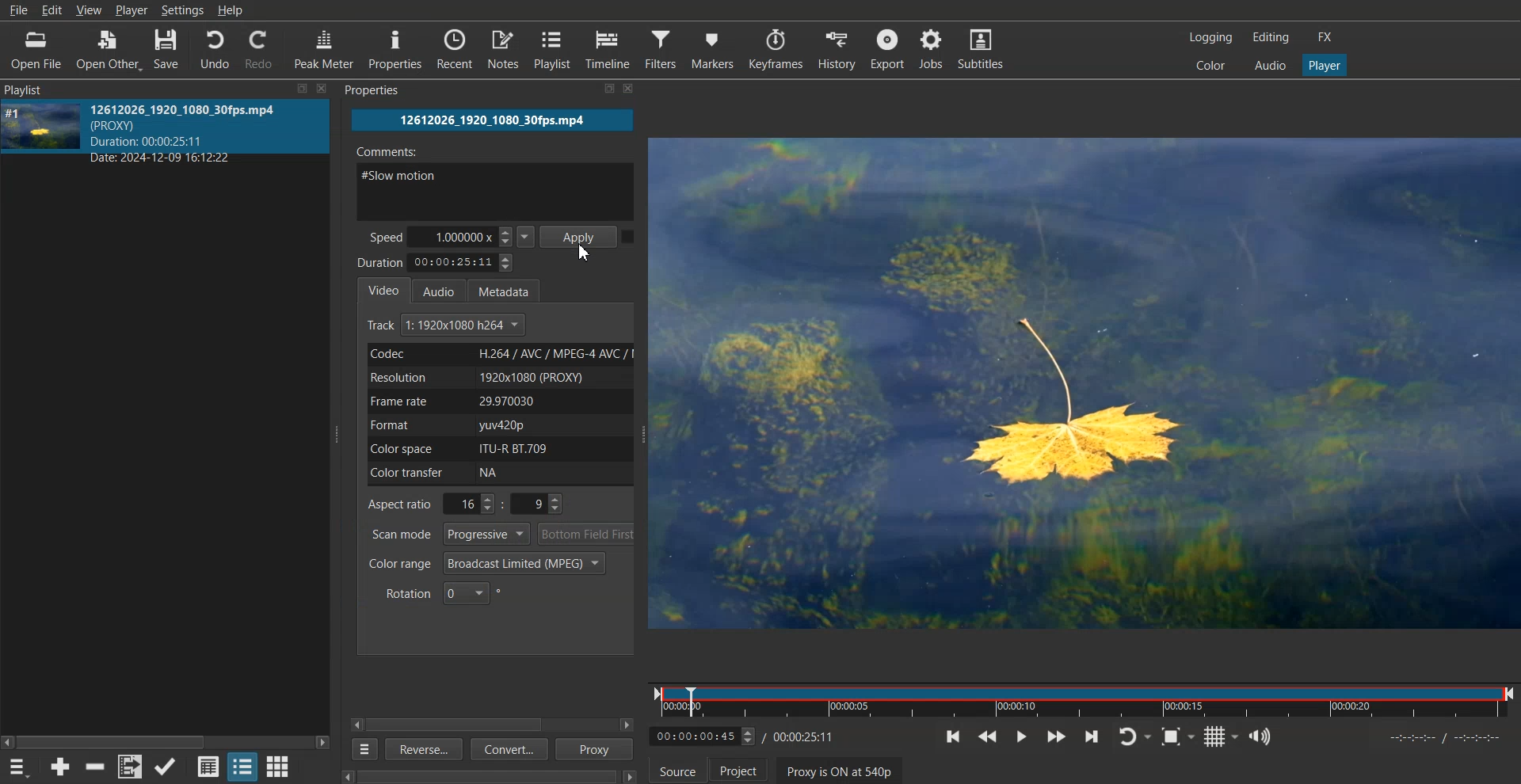 The width and height of the screenshot is (1521, 784). Describe the element at coordinates (132, 11) in the screenshot. I see `Player` at that location.